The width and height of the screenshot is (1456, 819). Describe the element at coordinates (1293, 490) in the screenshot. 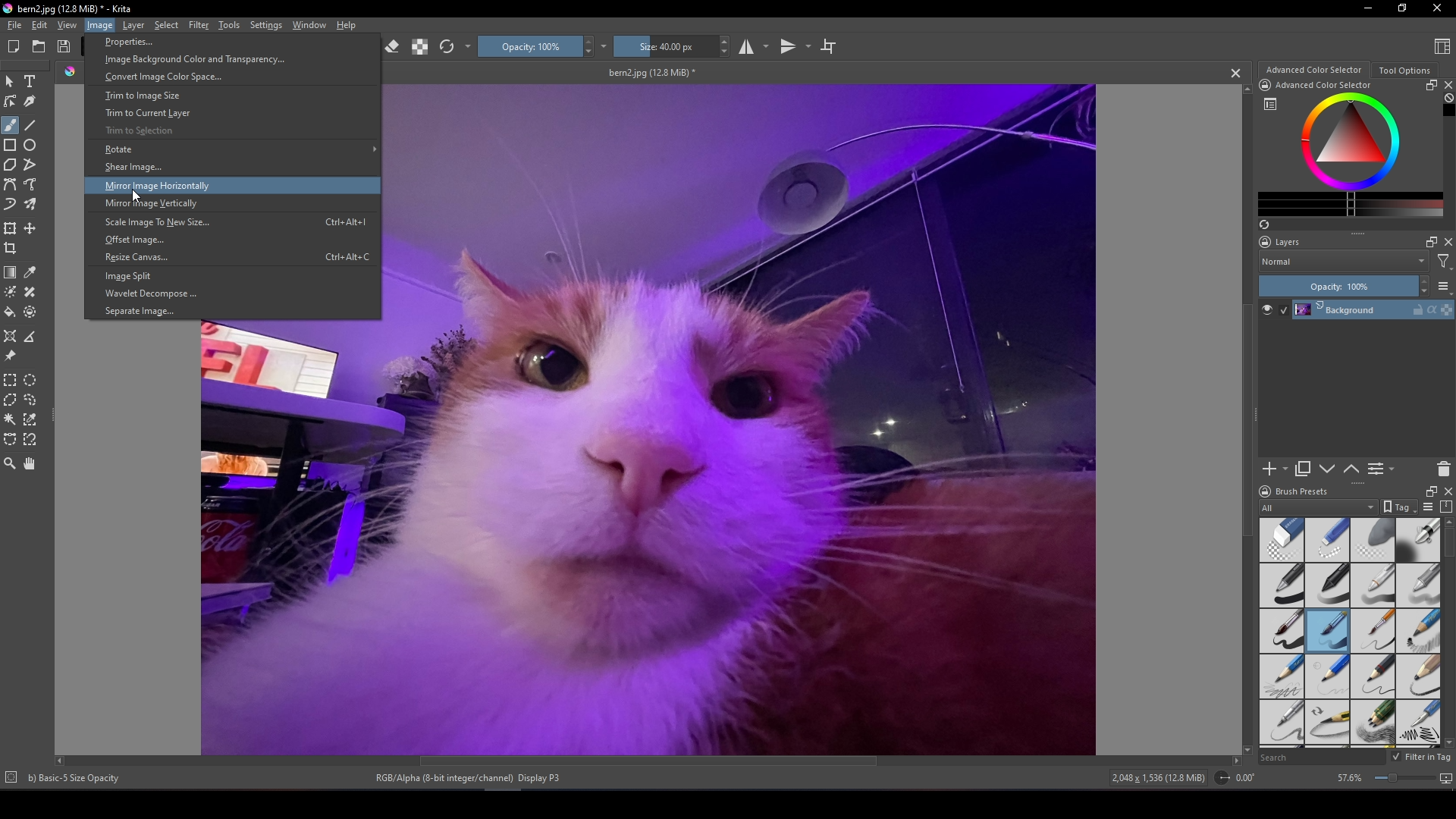

I see `Brush label` at that location.